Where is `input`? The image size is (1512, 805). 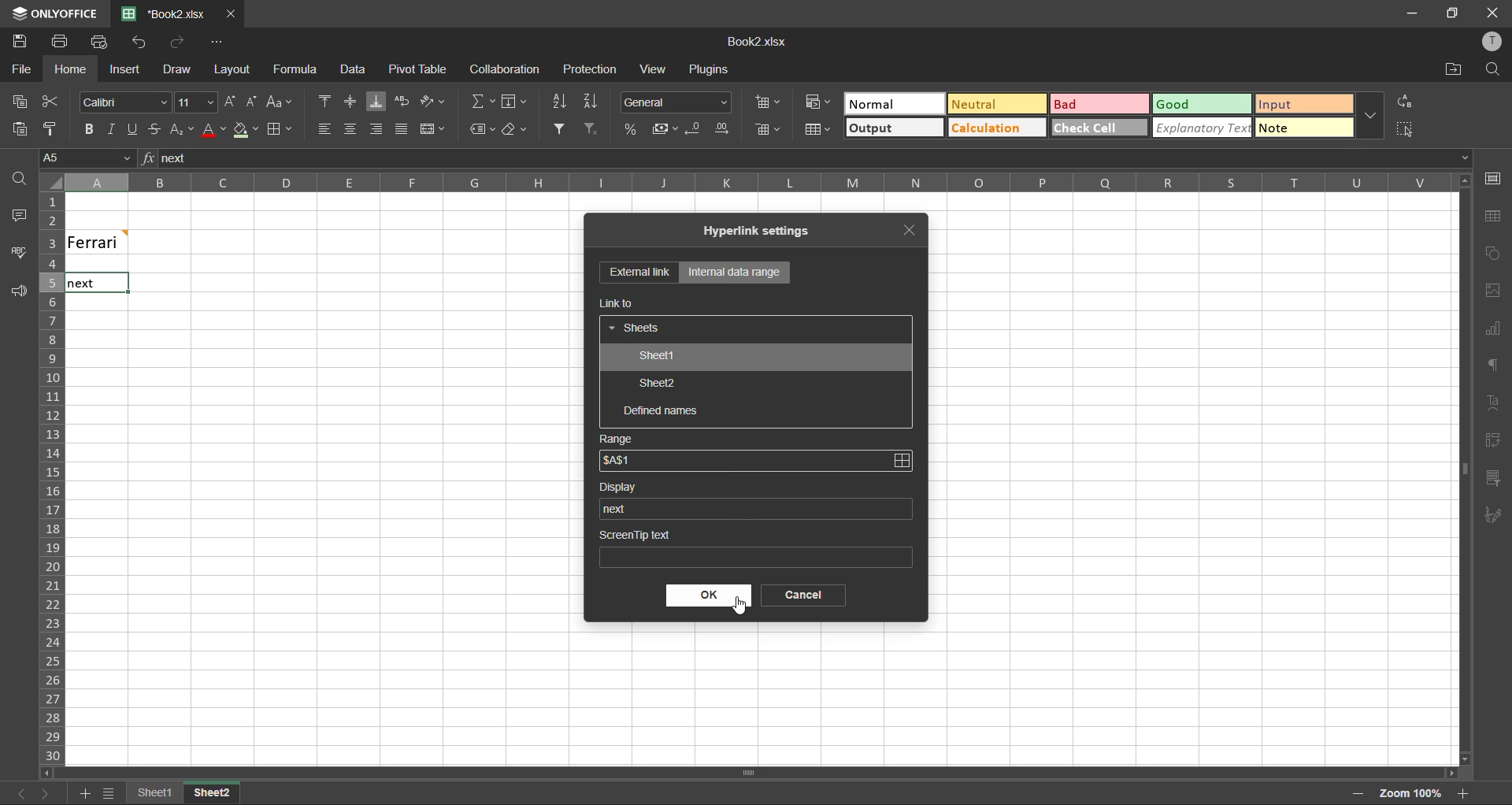 input is located at coordinates (1303, 104).